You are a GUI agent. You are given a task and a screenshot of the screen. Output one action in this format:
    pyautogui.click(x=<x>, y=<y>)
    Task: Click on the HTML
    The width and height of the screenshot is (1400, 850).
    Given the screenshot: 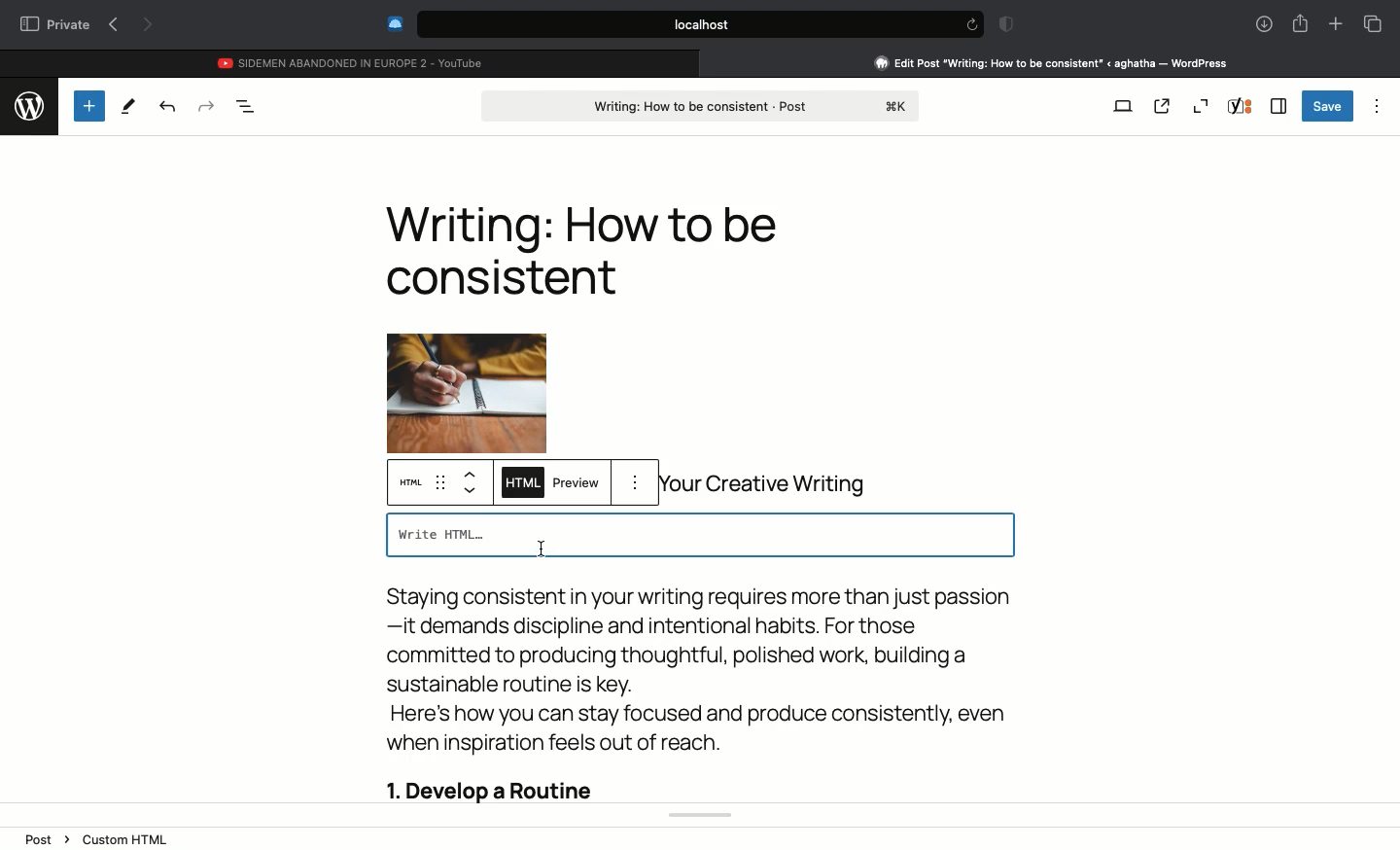 What is the action you would take?
    pyautogui.click(x=520, y=484)
    